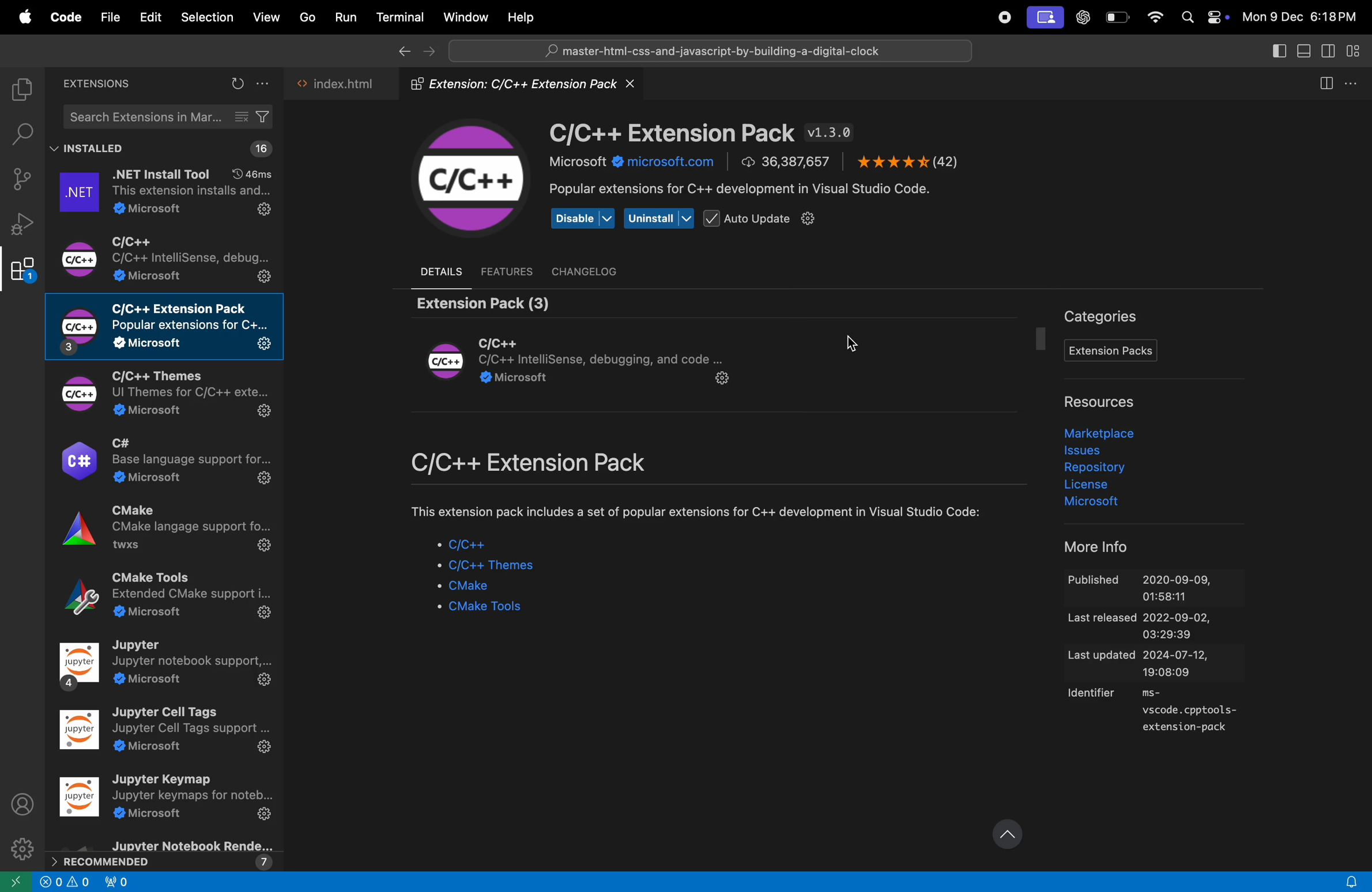 The height and width of the screenshot is (892, 1372). I want to click on forward, so click(429, 50).